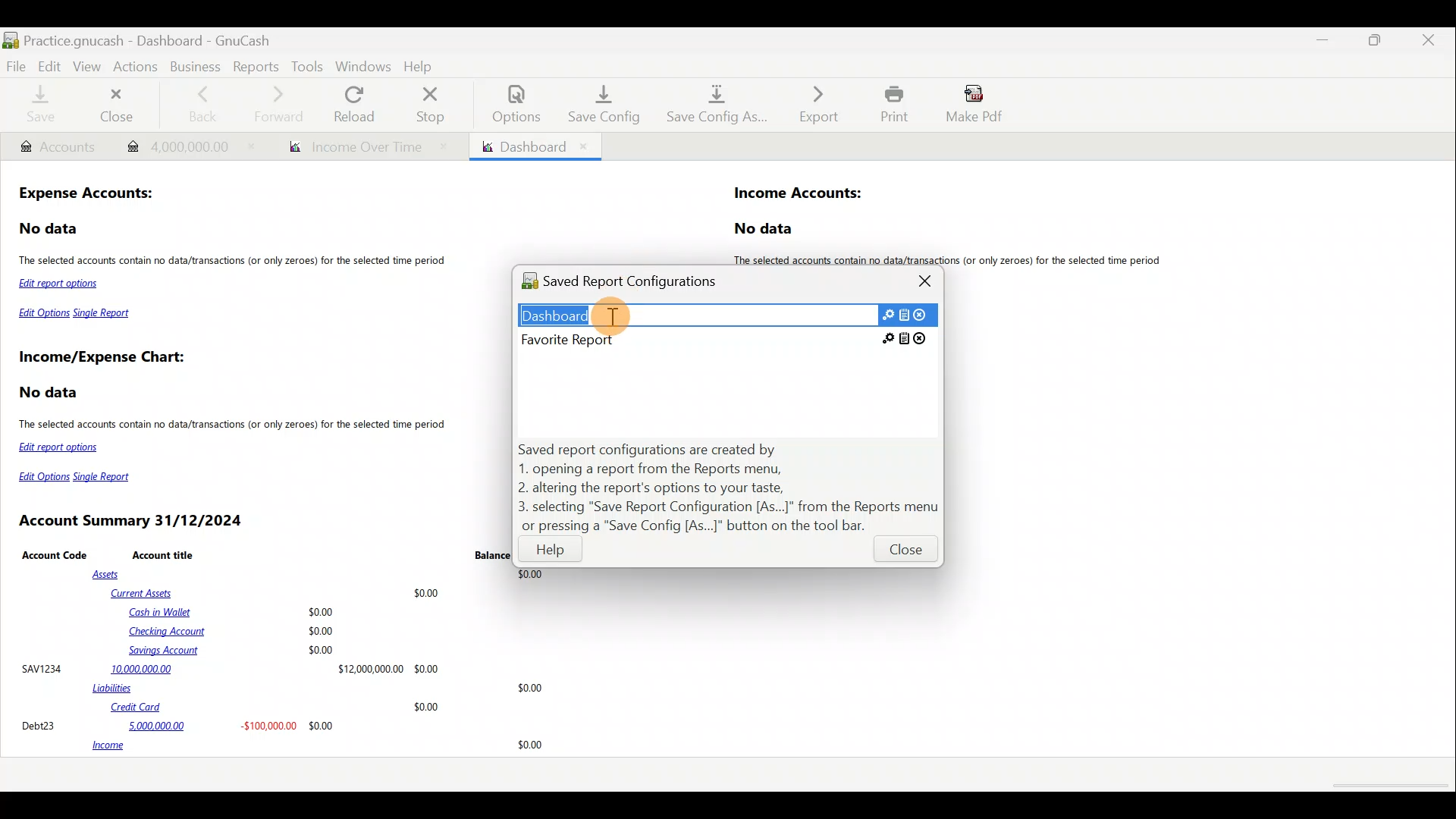 This screenshot has height=819, width=1456. What do you see at coordinates (979, 106) in the screenshot?
I see `Make pdf` at bounding box center [979, 106].